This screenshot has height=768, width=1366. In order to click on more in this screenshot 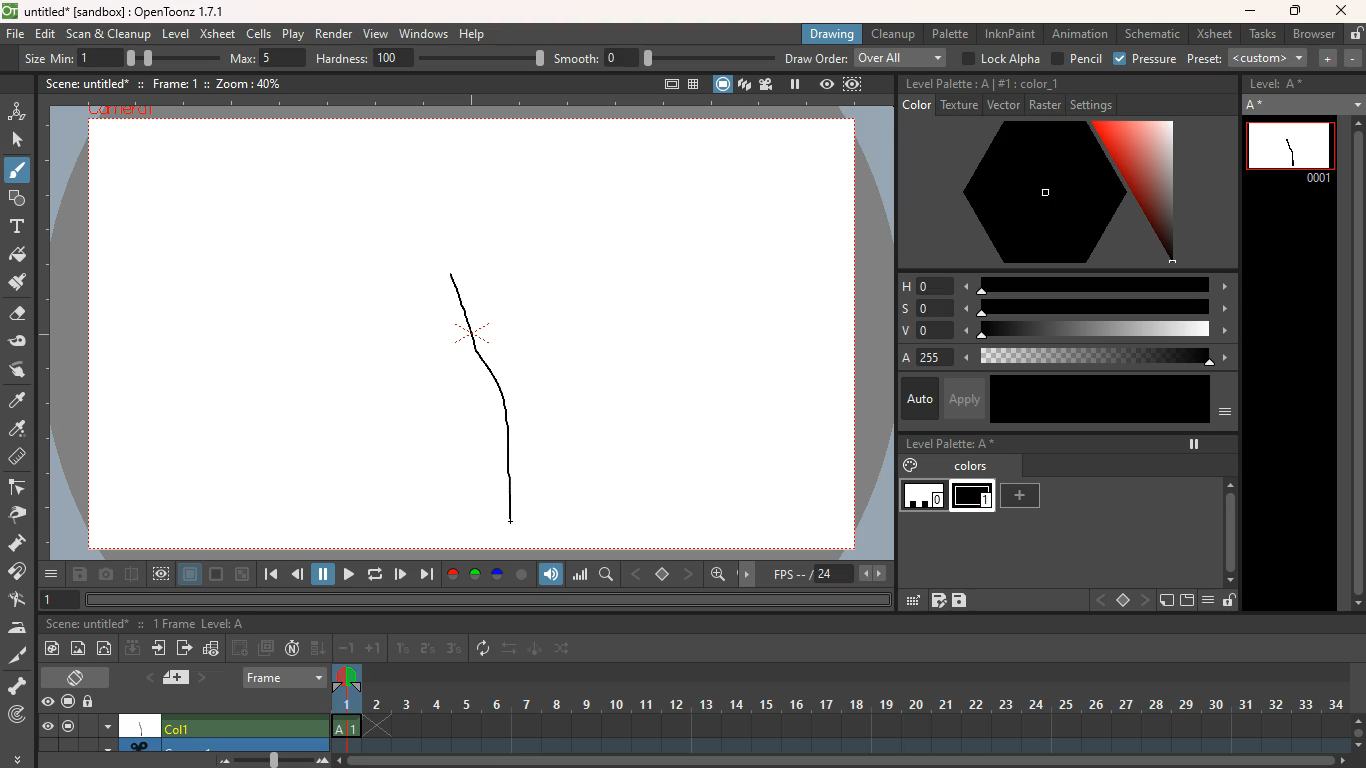, I will do `click(1329, 59)`.